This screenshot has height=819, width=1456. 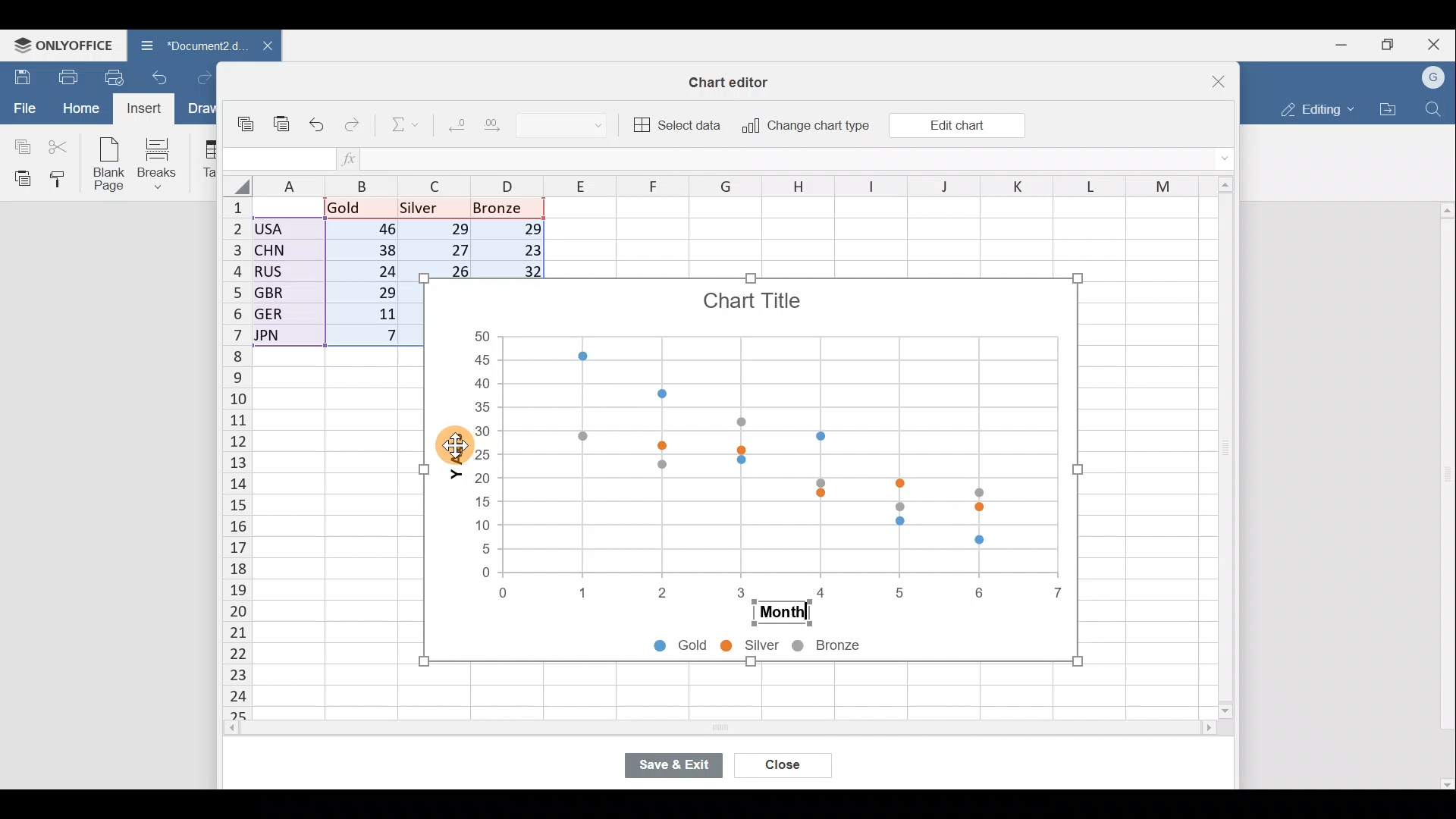 What do you see at coordinates (784, 615) in the screenshot?
I see `Month` at bounding box center [784, 615].